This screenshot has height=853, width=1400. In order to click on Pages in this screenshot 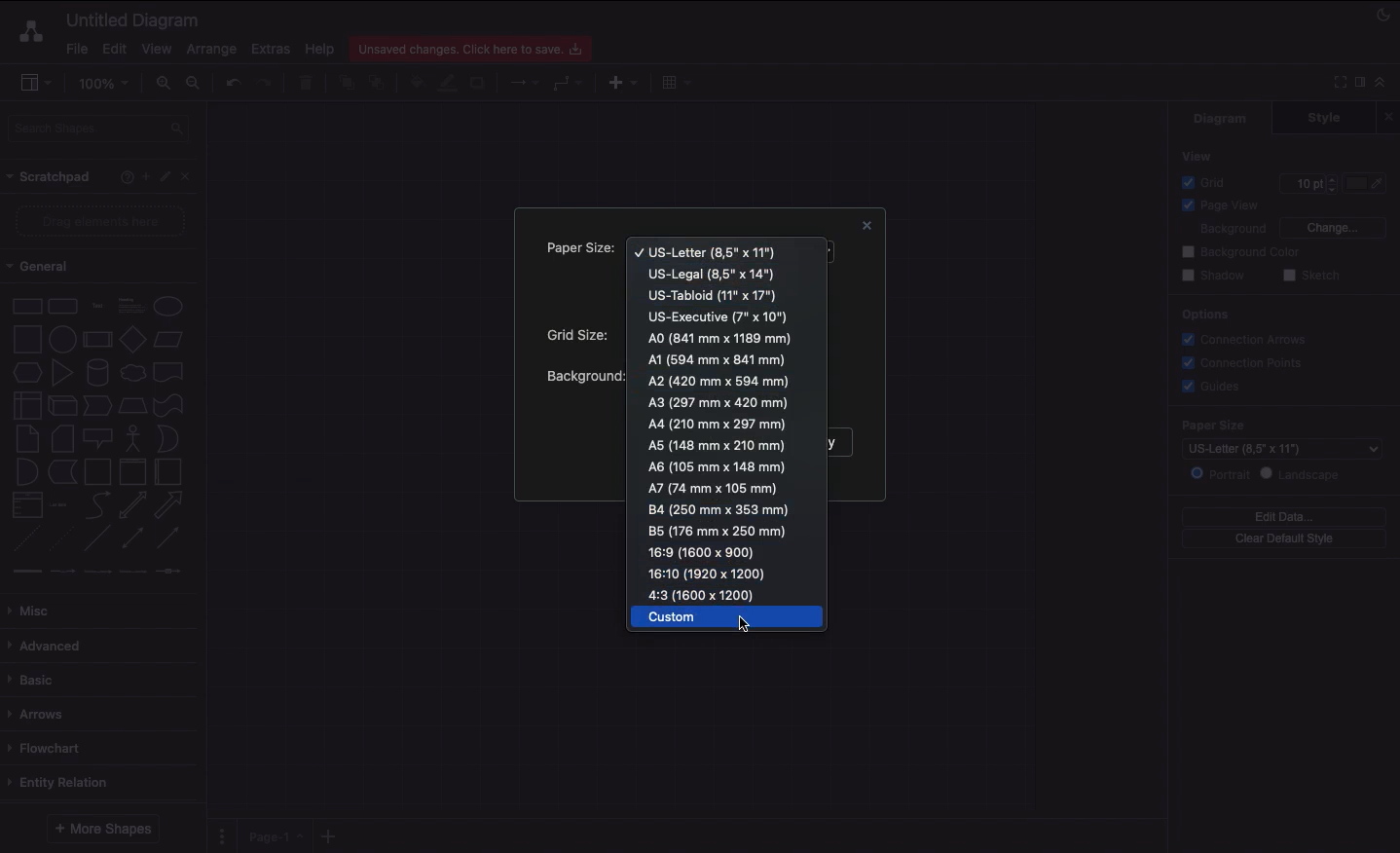, I will do `click(218, 836)`.